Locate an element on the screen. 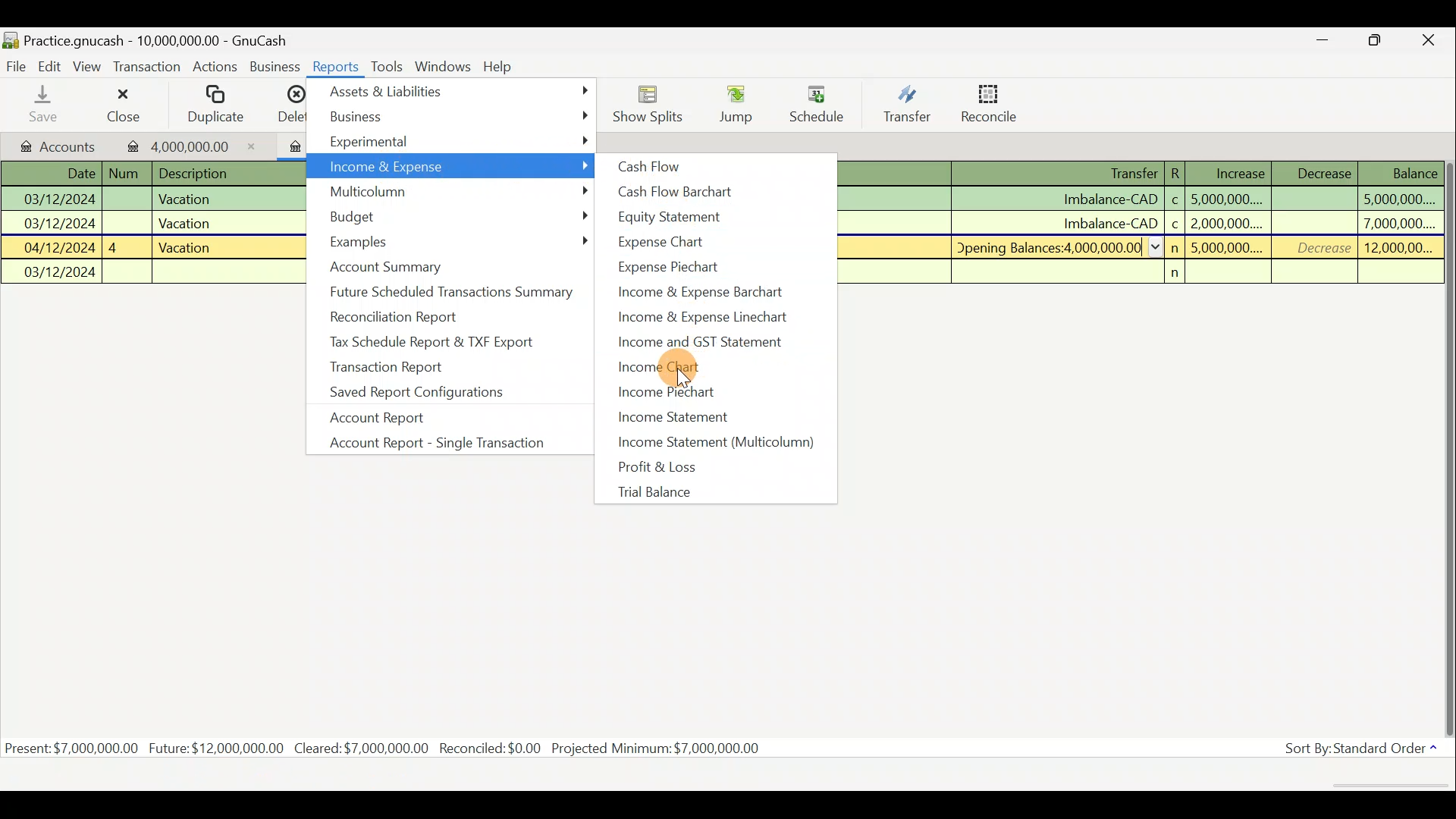  Sort By: Standard Order is located at coordinates (1355, 748).